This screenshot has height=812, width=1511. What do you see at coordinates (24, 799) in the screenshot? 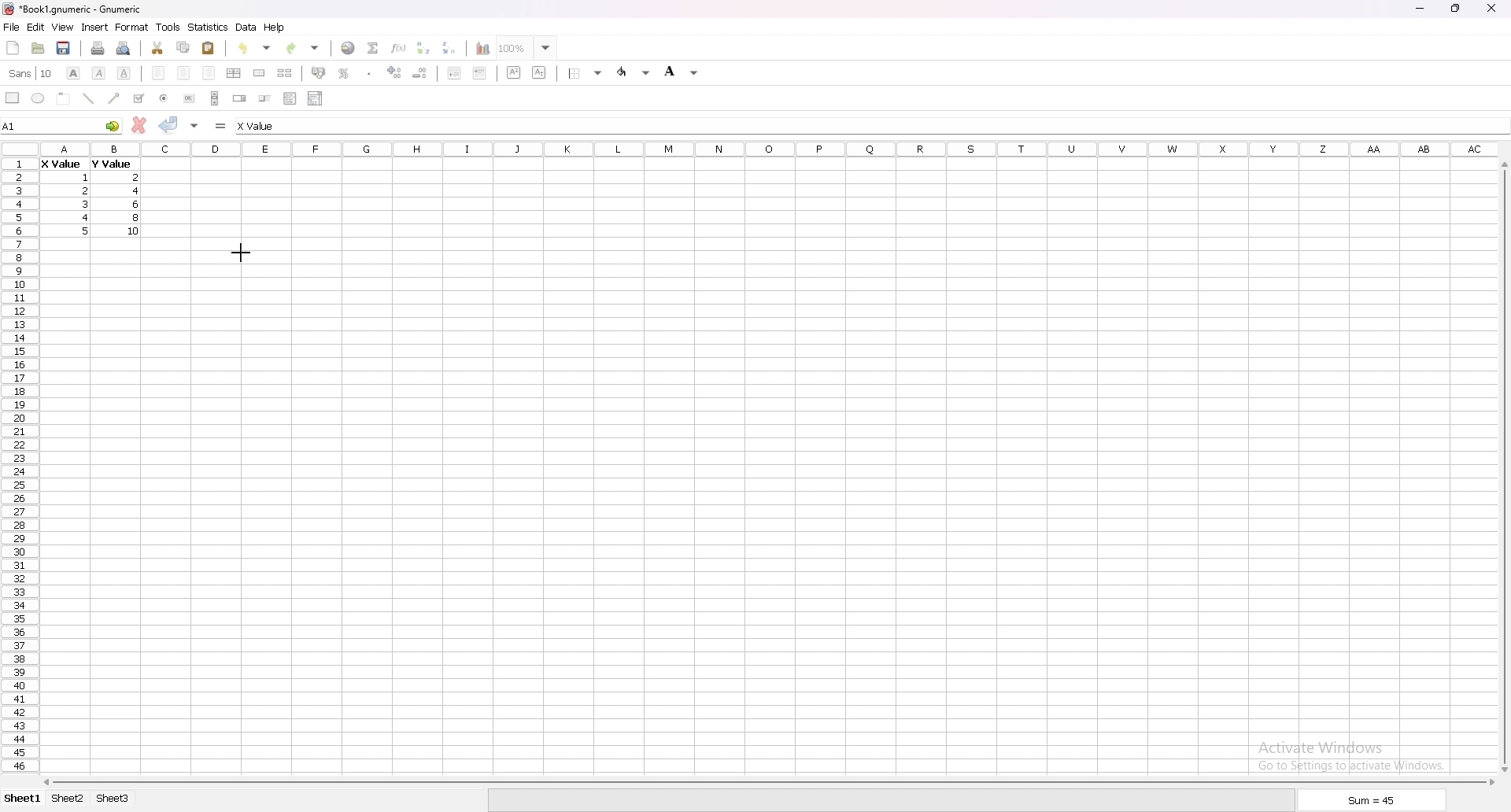
I see `sheet 1` at bounding box center [24, 799].